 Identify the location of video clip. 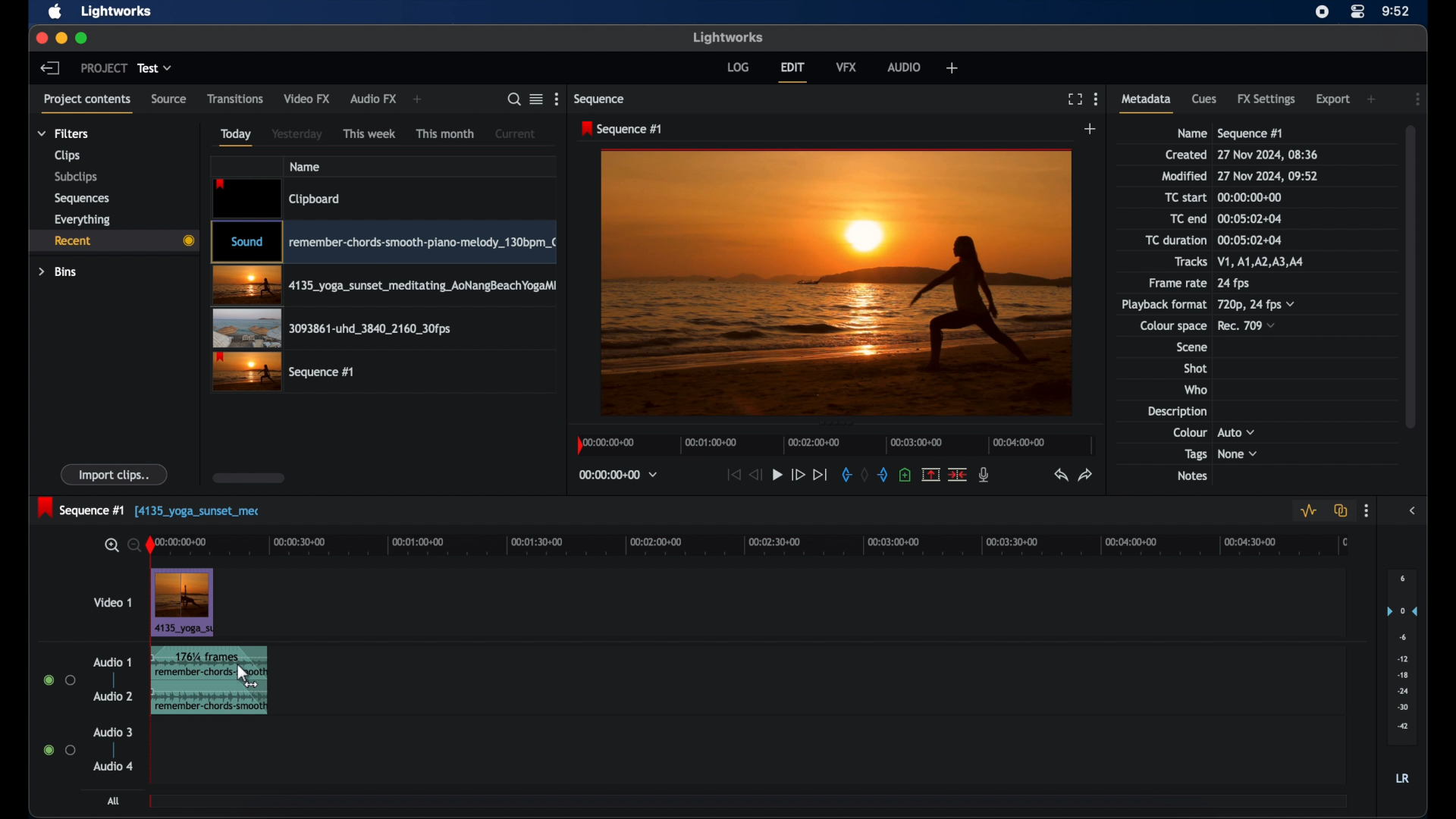
(283, 372).